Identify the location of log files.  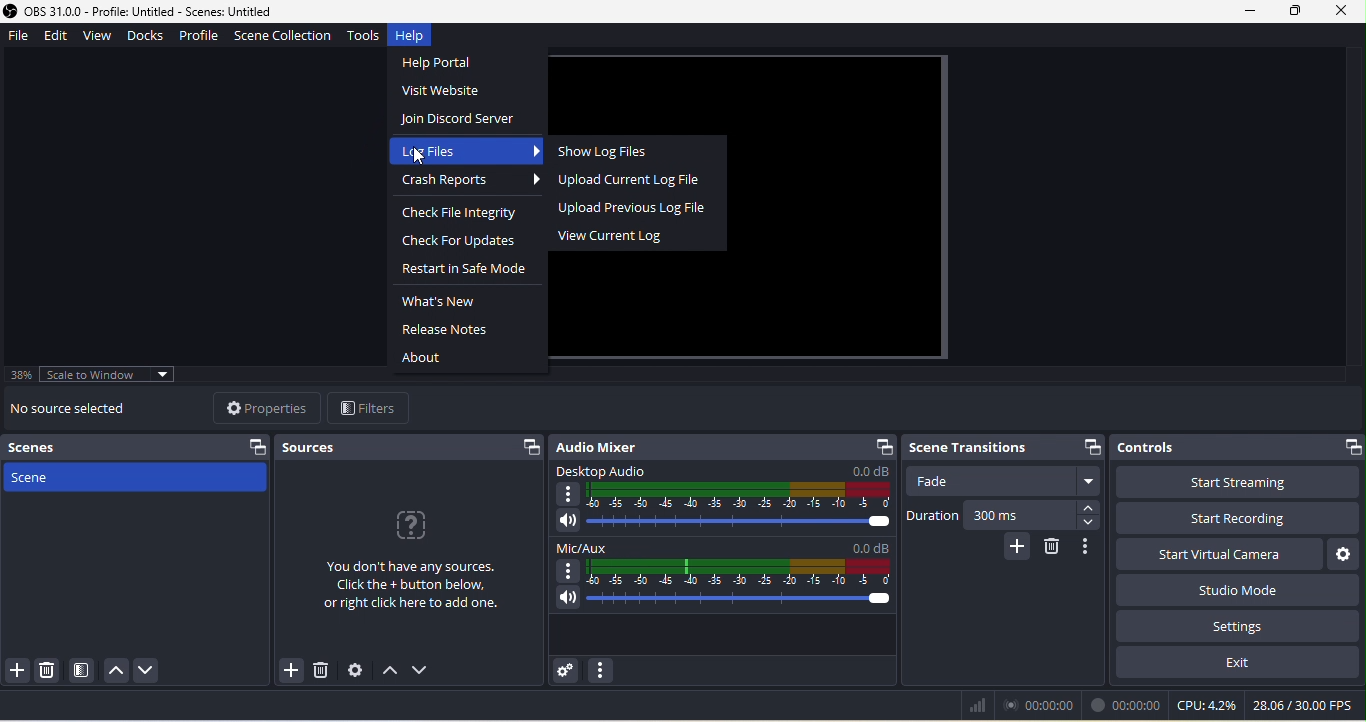
(466, 151).